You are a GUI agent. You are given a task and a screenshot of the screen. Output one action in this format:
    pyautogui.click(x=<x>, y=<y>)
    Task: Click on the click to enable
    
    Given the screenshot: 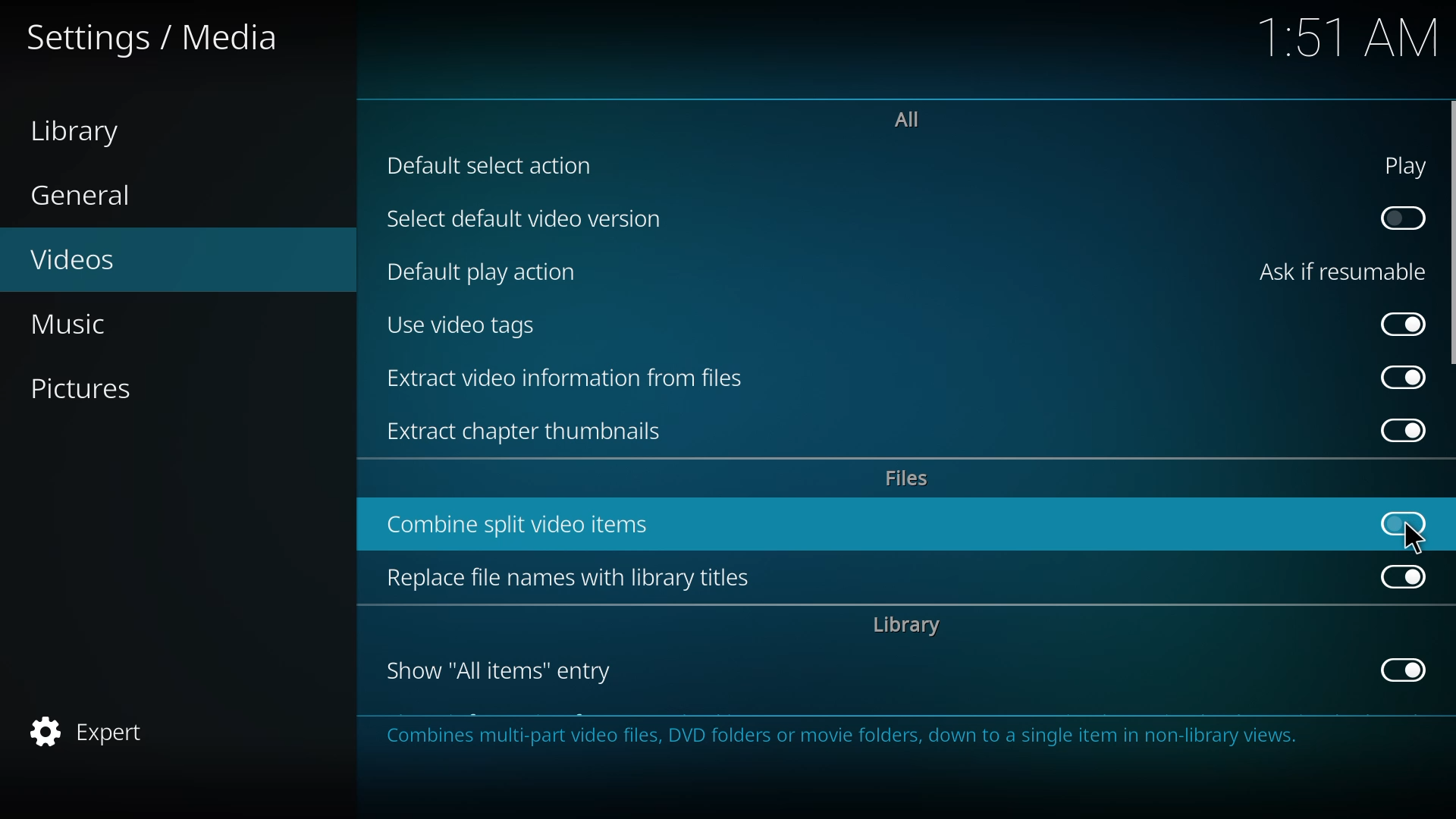 What is the action you would take?
    pyautogui.click(x=1398, y=519)
    